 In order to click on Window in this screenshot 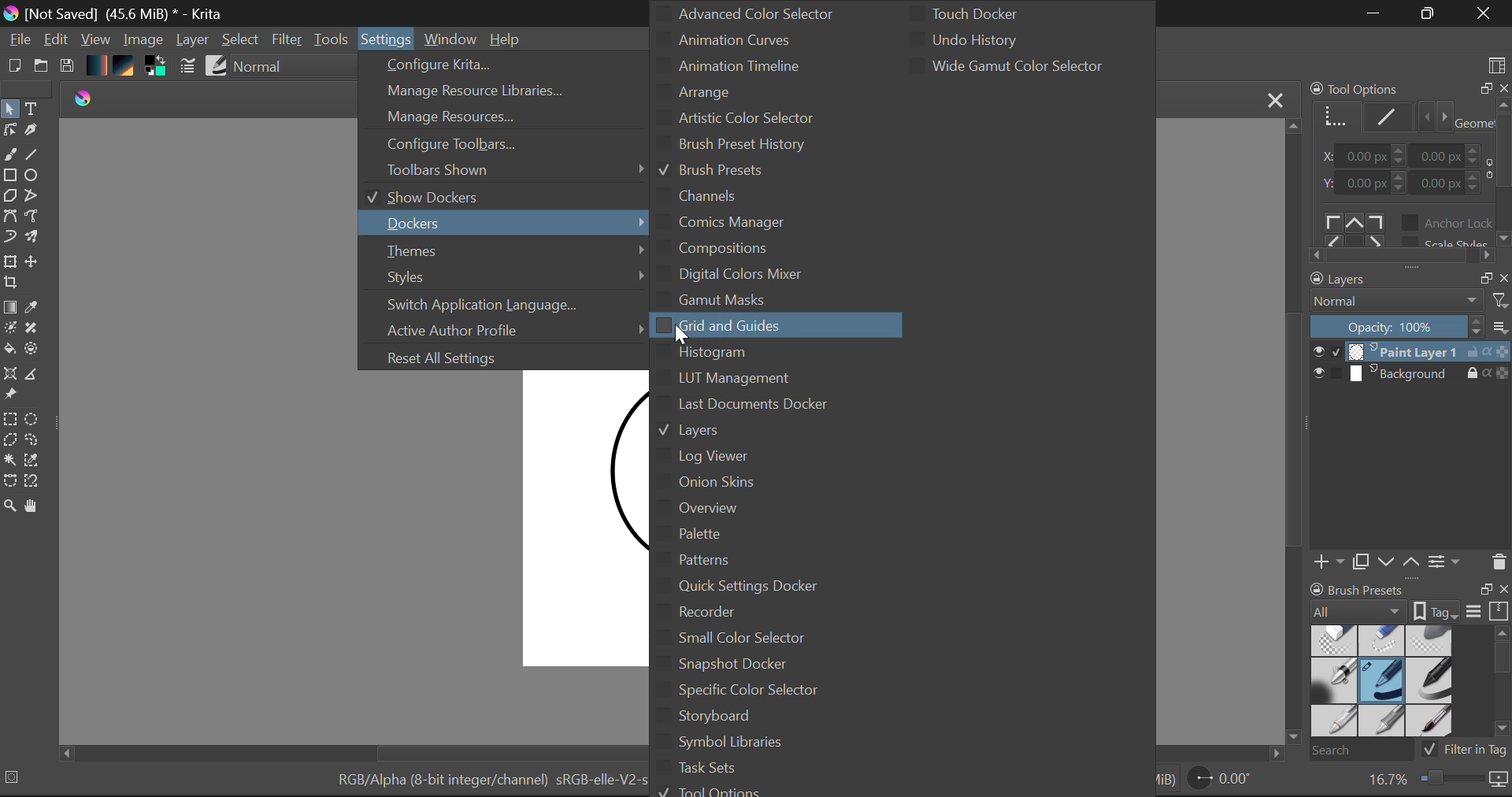, I will do `click(453, 36)`.